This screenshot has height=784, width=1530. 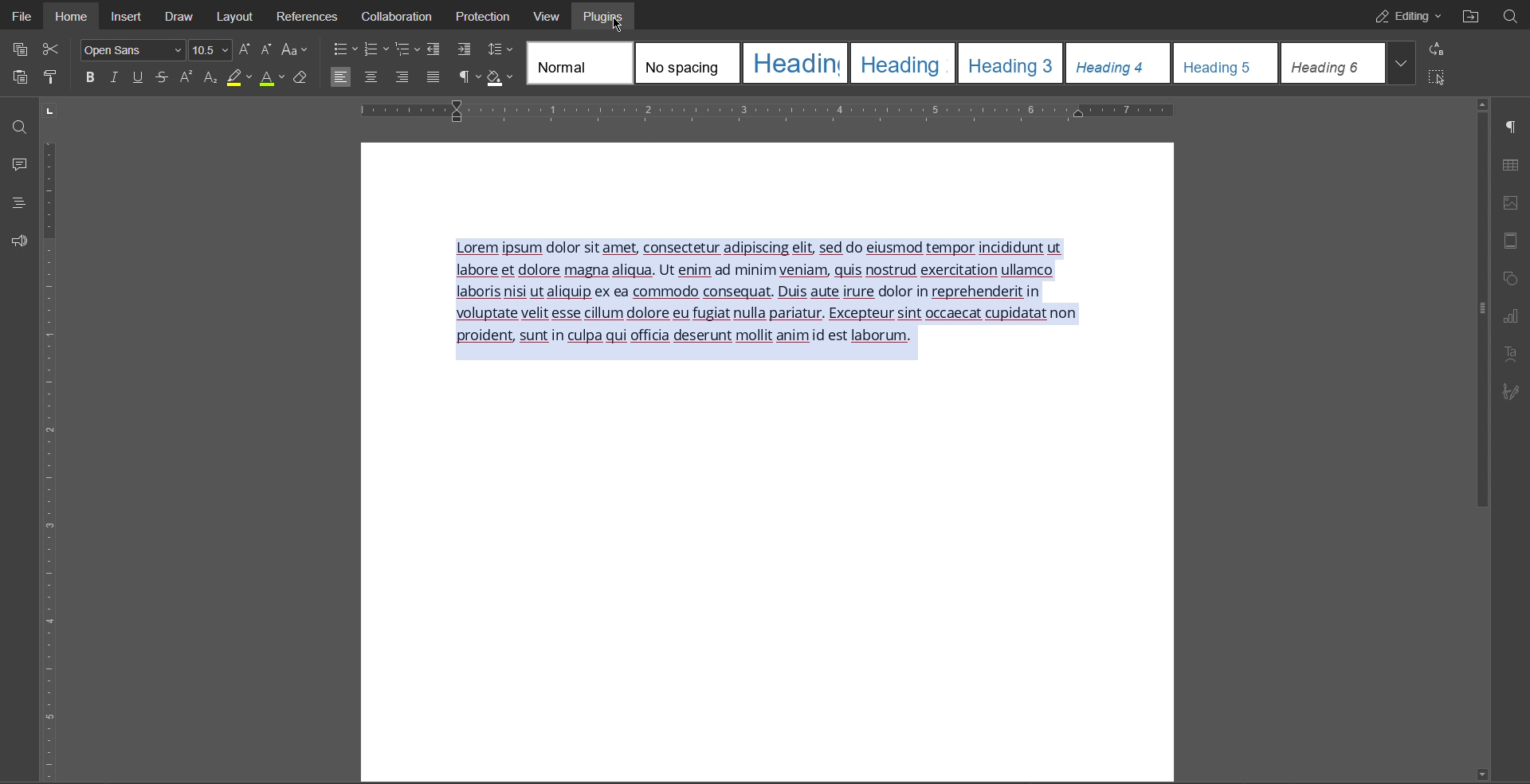 I want to click on Left Alignment, so click(x=343, y=77).